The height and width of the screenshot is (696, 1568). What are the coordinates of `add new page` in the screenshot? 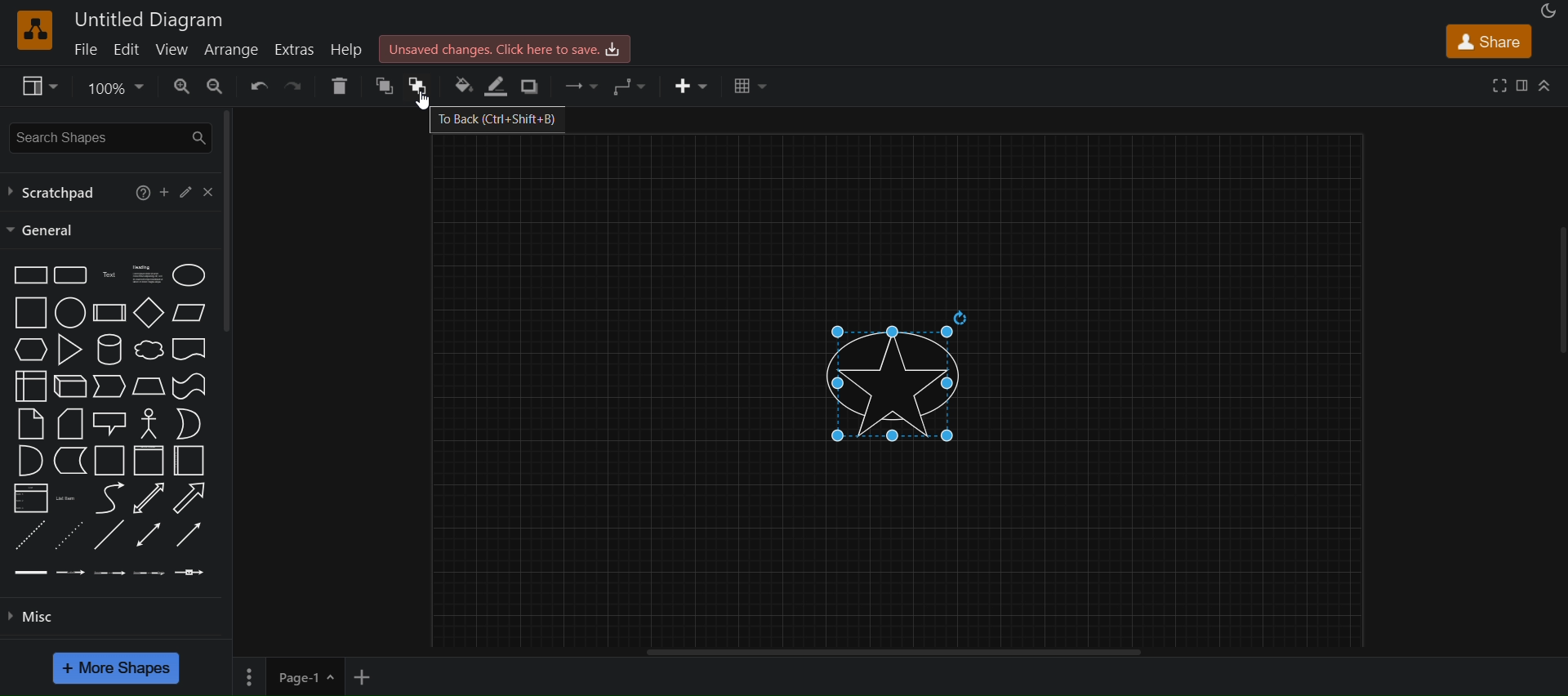 It's located at (371, 676).